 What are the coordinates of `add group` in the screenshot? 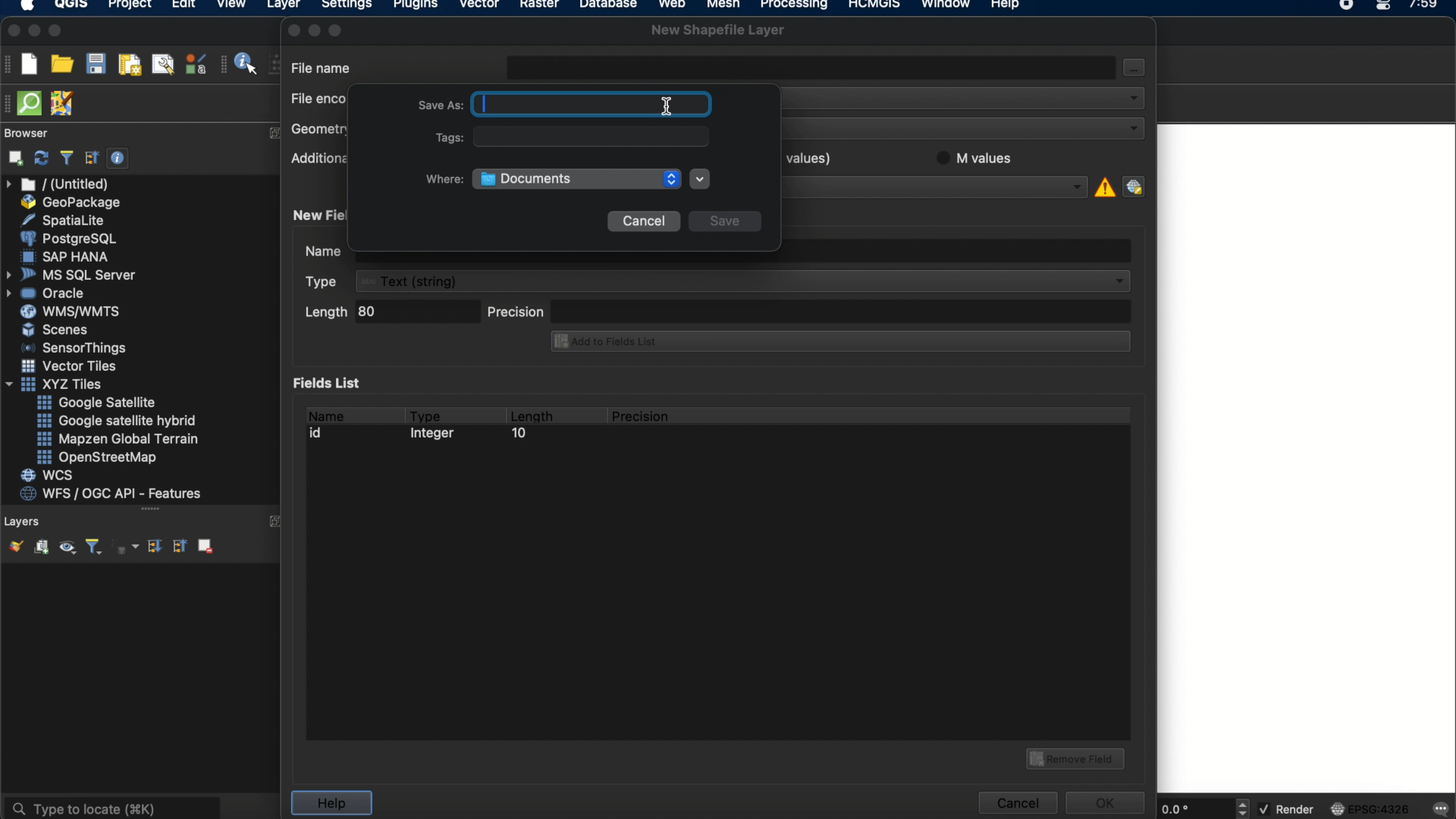 It's located at (41, 548).